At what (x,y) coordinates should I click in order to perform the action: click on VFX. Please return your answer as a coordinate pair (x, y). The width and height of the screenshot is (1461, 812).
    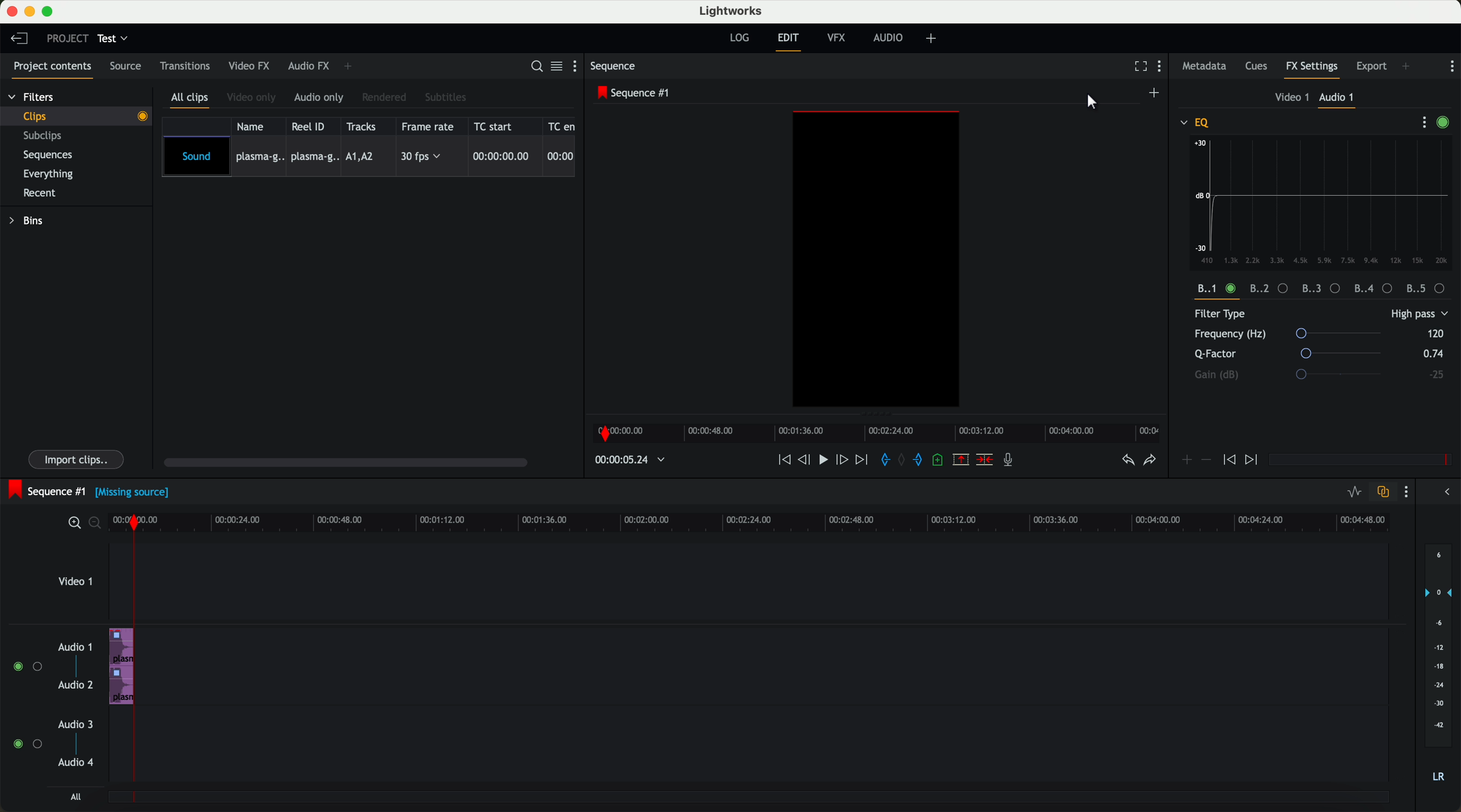
    Looking at the image, I should click on (839, 40).